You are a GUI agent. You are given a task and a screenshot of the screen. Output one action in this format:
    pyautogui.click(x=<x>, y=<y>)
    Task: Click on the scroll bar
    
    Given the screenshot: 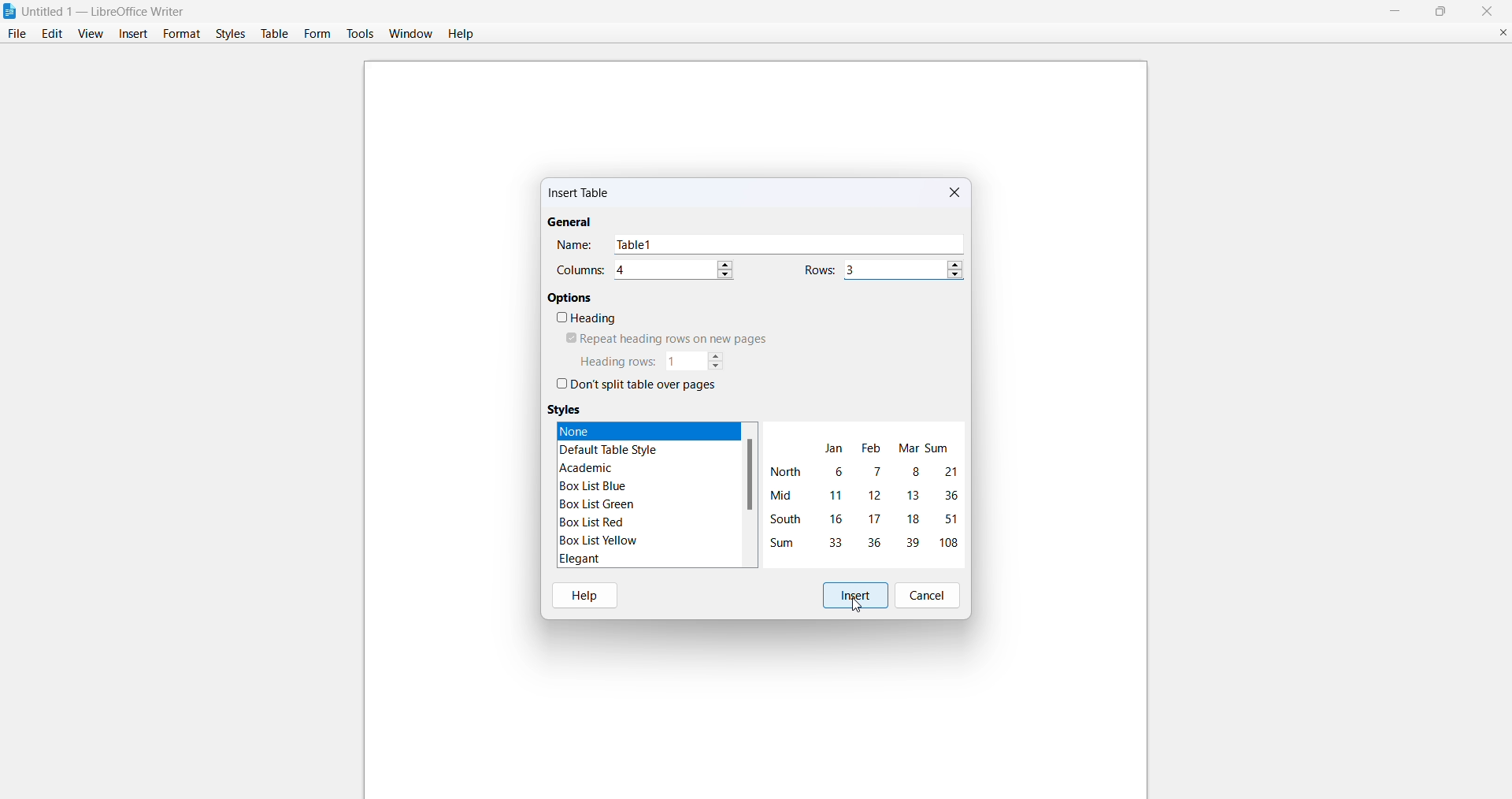 What is the action you would take?
    pyautogui.click(x=750, y=475)
    